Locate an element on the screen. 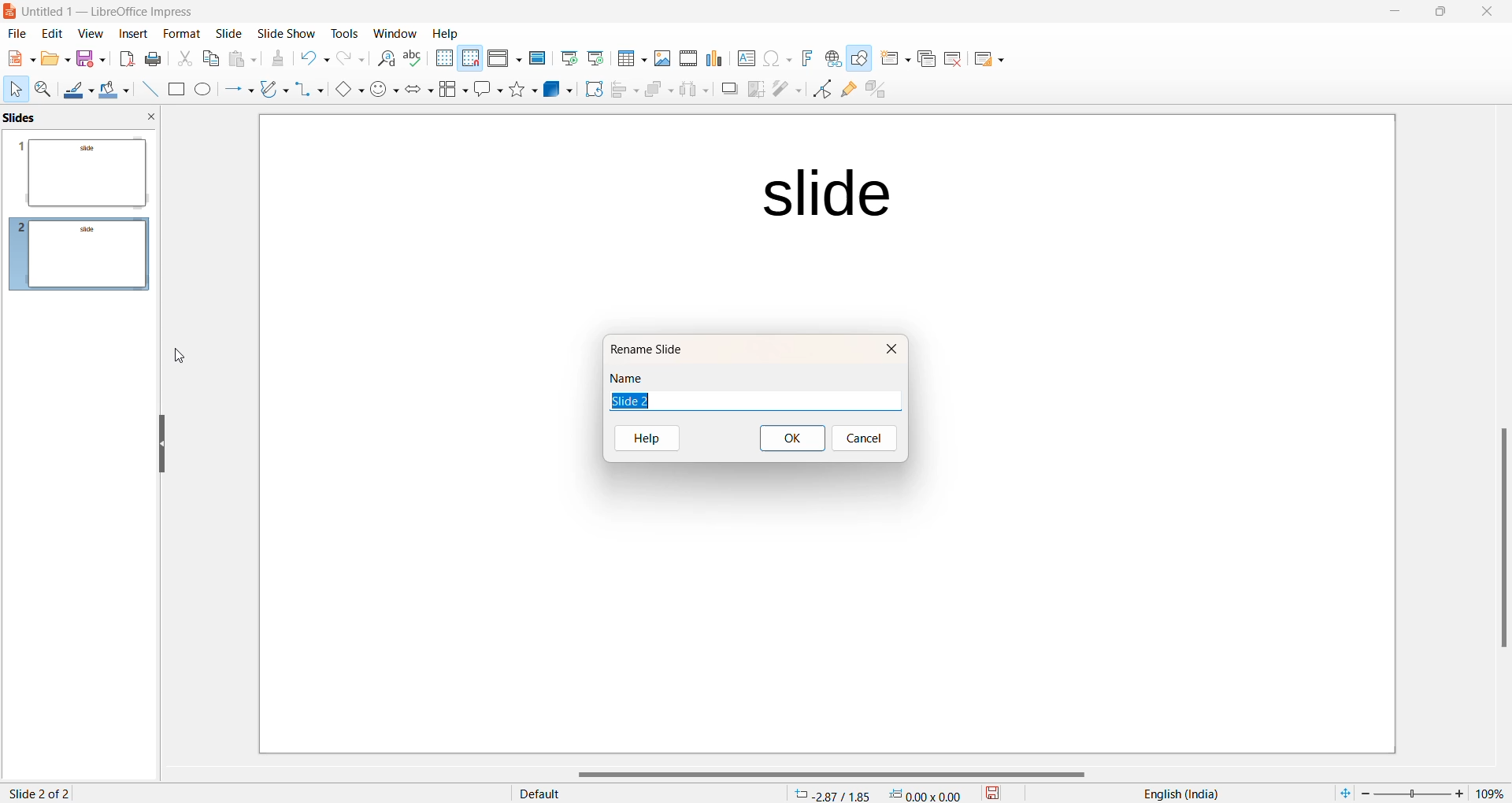 The height and width of the screenshot is (803, 1512). Align is located at coordinates (621, 91).